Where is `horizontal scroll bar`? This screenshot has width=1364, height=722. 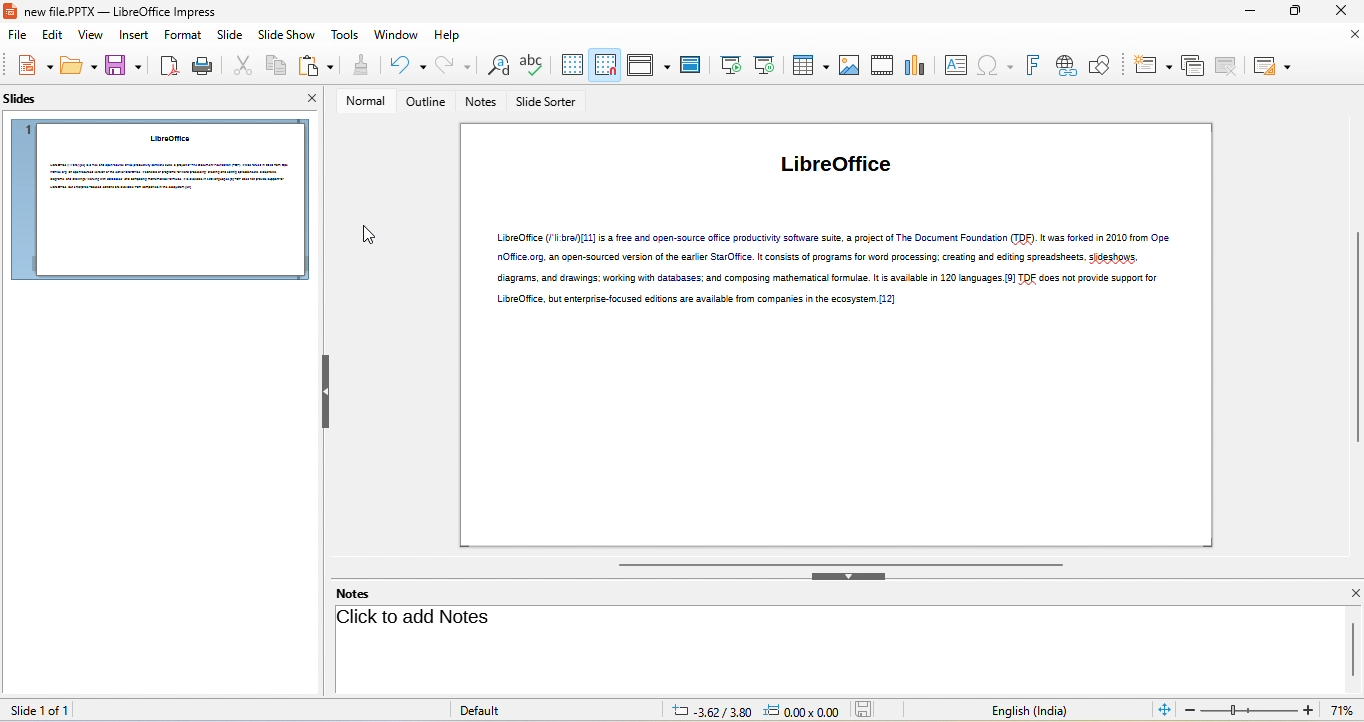
horizontal scroll bar is located at coordinates (838, 563).